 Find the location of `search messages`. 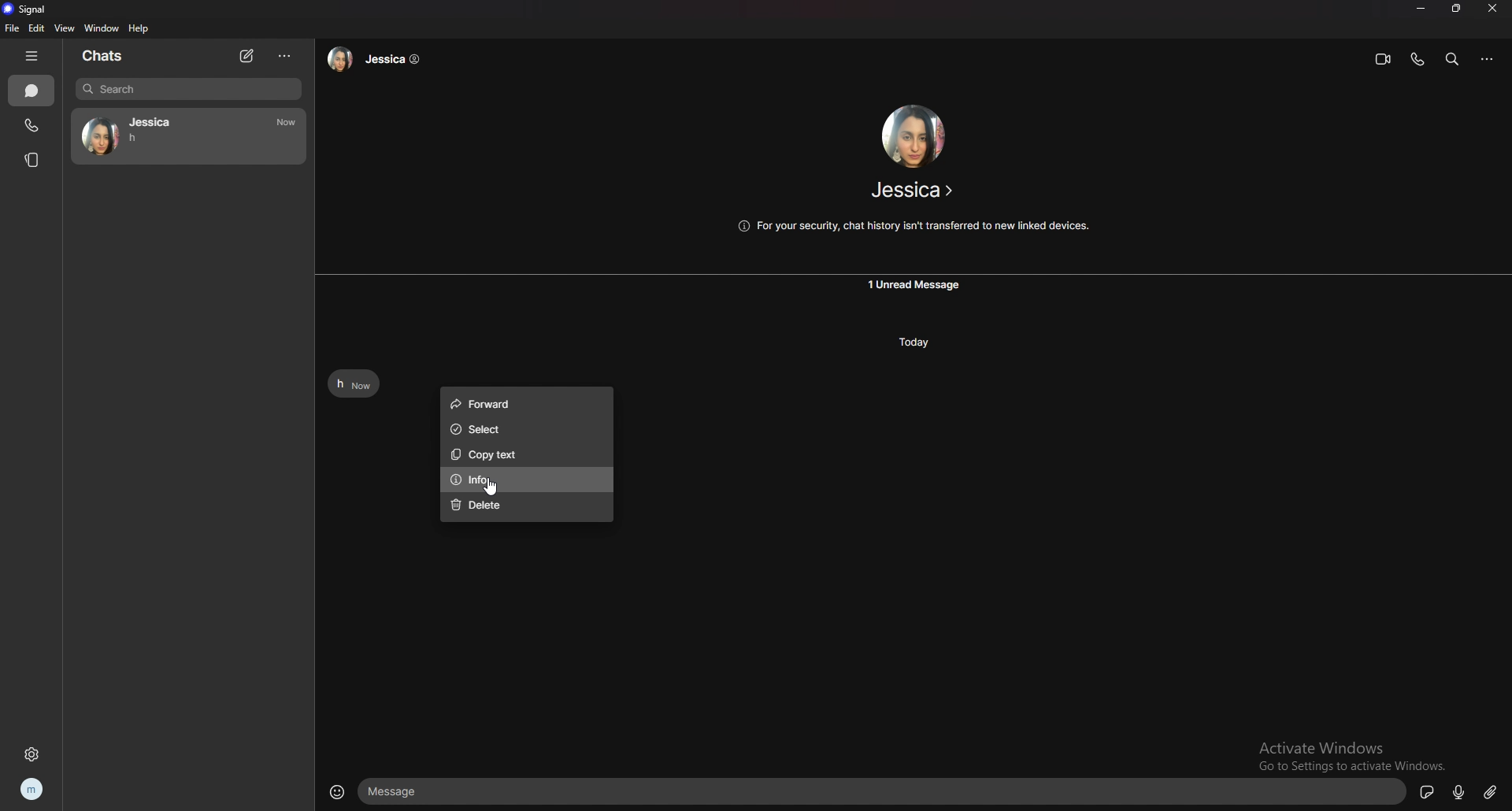

search messages is located at coordinates (1452, 60).